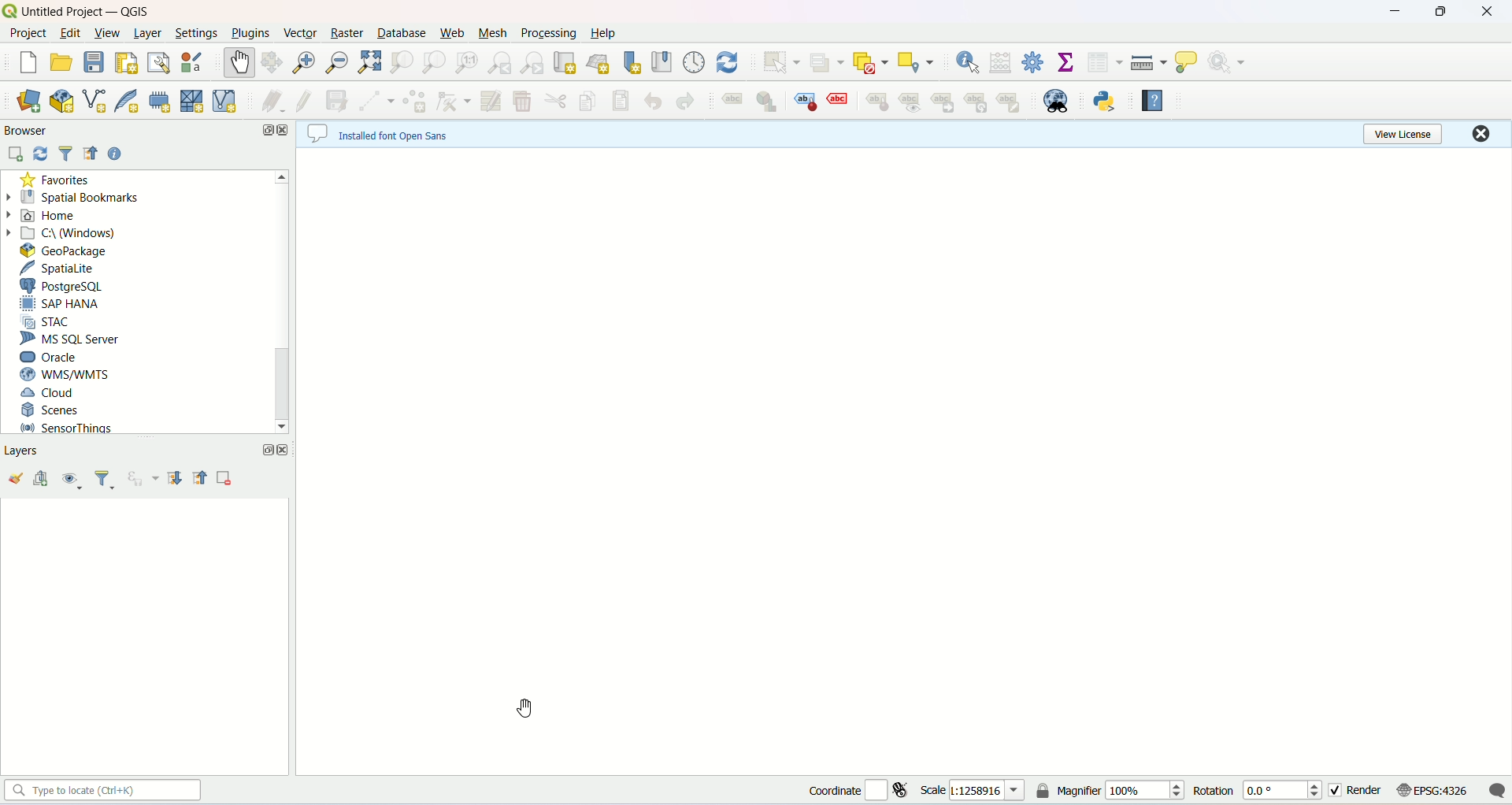  I want to click on lock, so click(1043, 792).